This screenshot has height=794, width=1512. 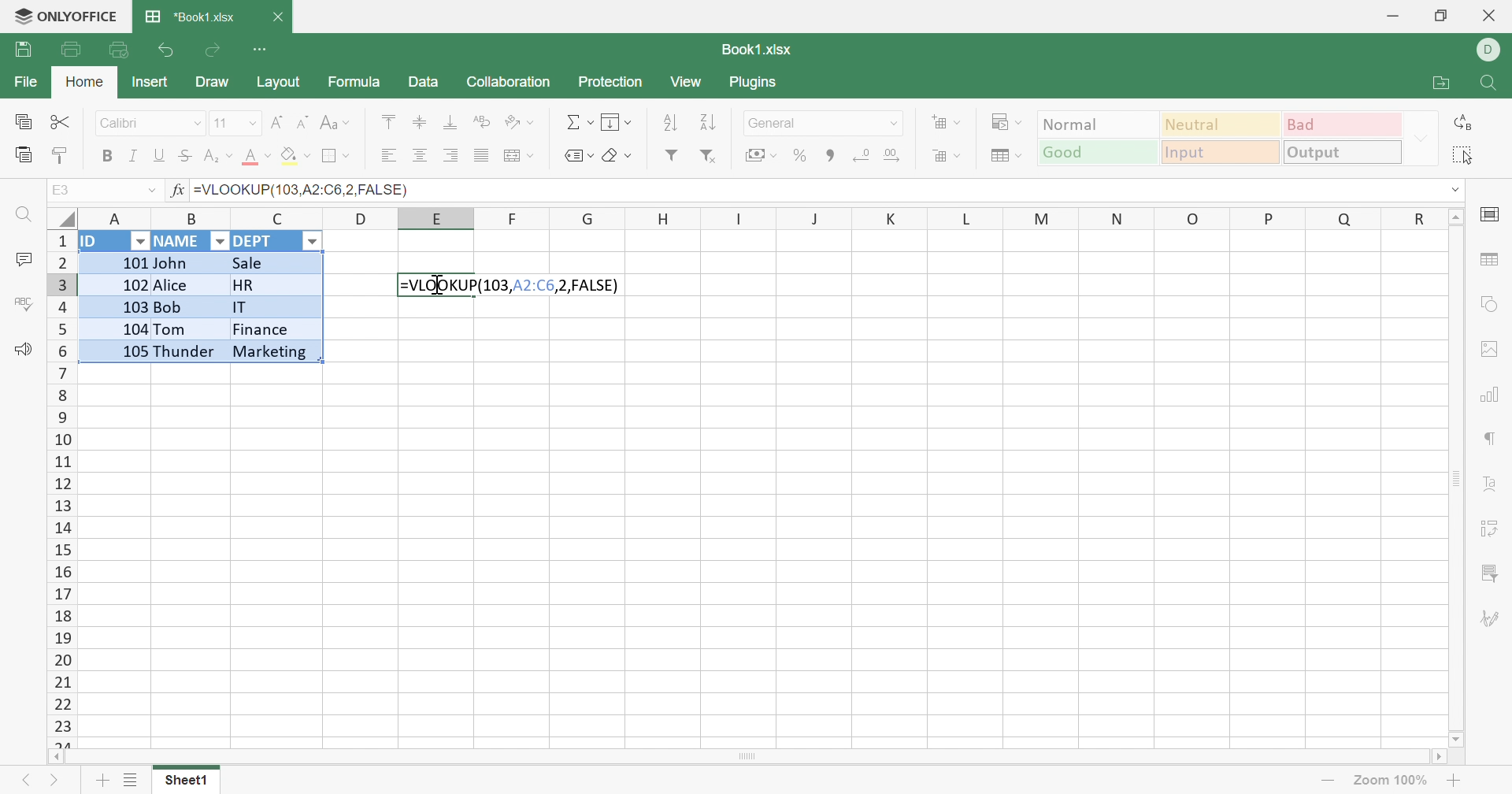 What do you see at coordinates (187, 309) in the screenshot?
I see `Bob` at bounding box center [187, 309].